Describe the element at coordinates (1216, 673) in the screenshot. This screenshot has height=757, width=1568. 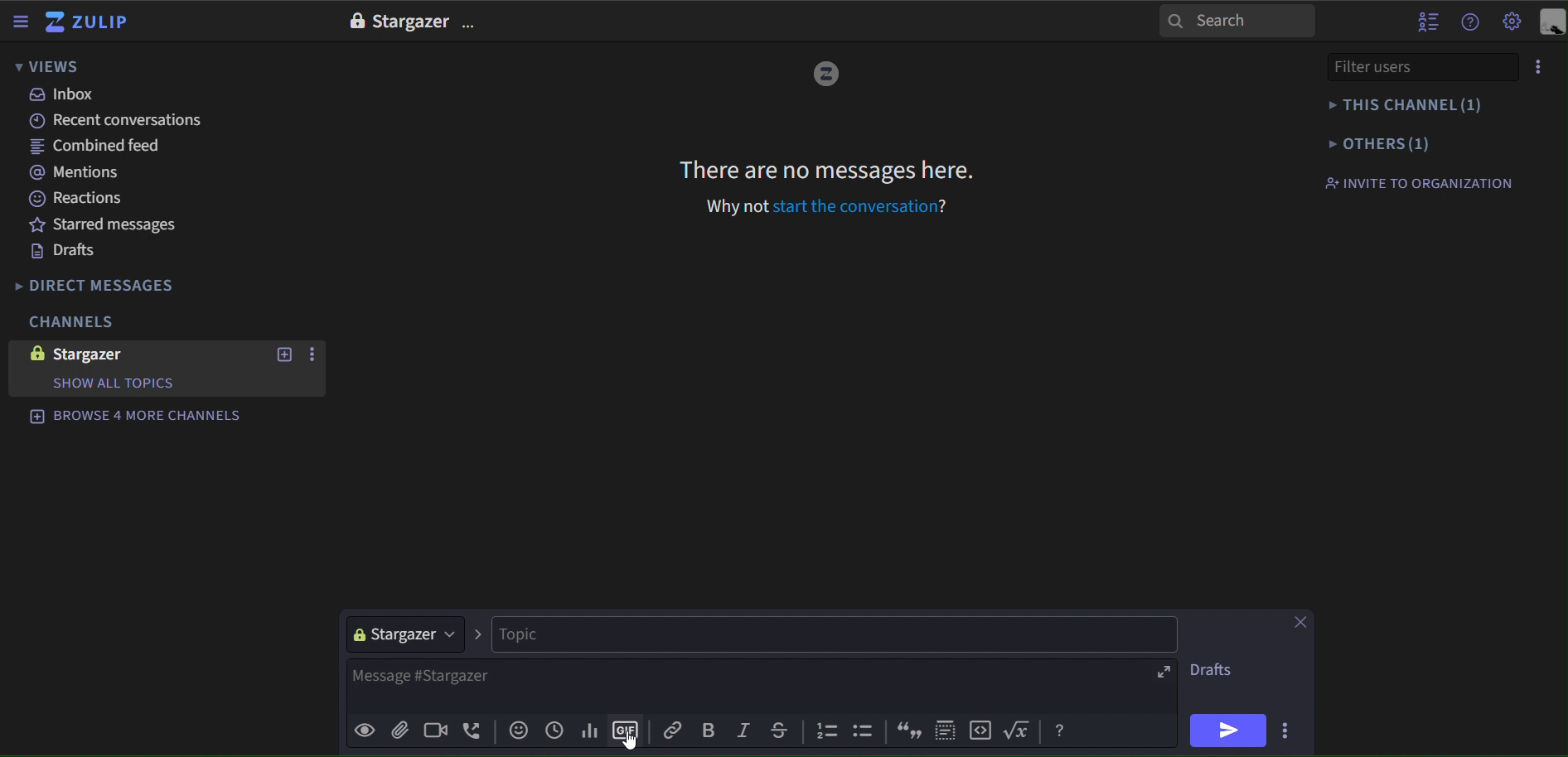
I see `drafts` at that location.